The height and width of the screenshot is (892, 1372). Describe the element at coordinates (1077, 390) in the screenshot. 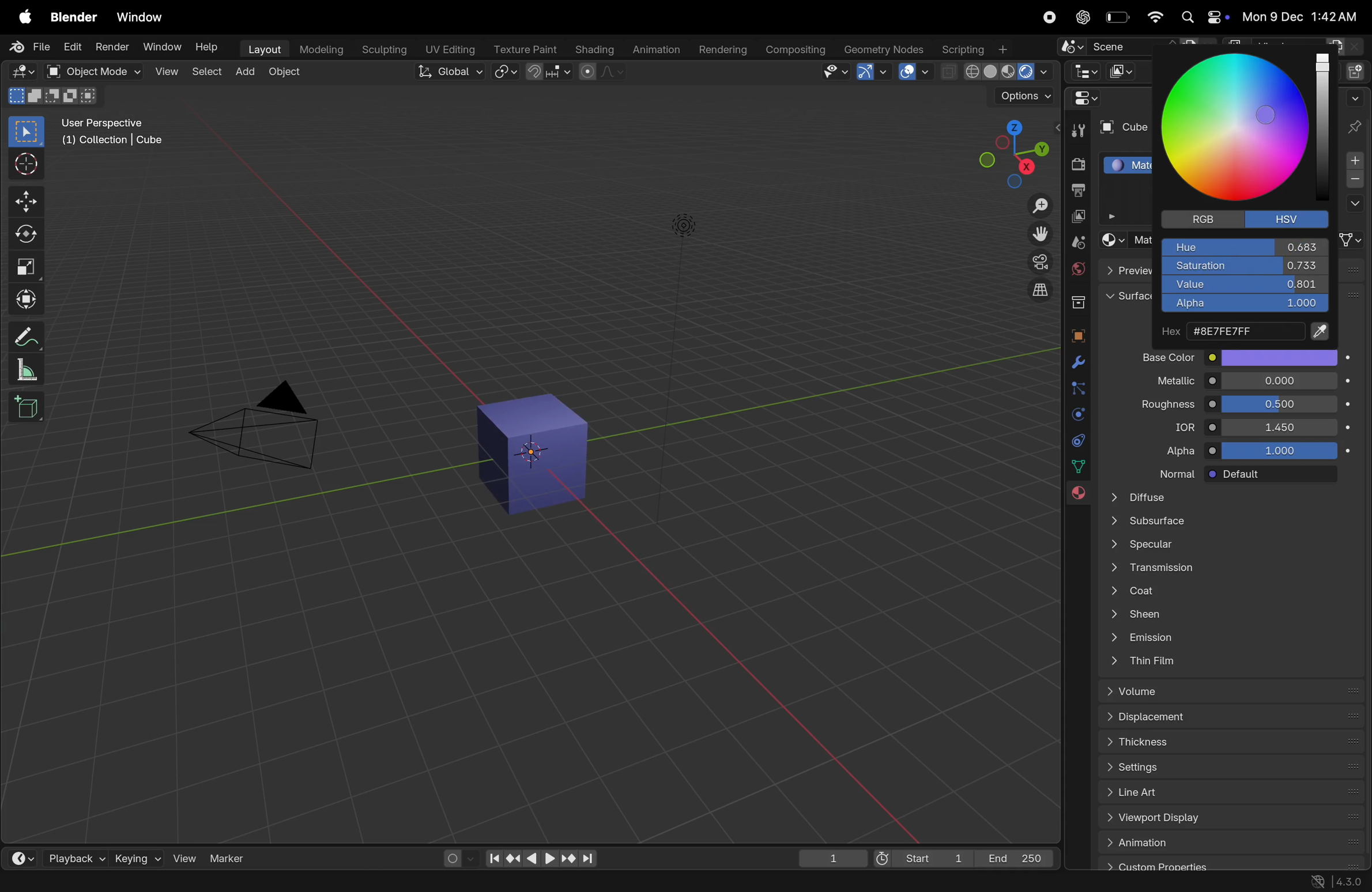

I see `particle` at that location.